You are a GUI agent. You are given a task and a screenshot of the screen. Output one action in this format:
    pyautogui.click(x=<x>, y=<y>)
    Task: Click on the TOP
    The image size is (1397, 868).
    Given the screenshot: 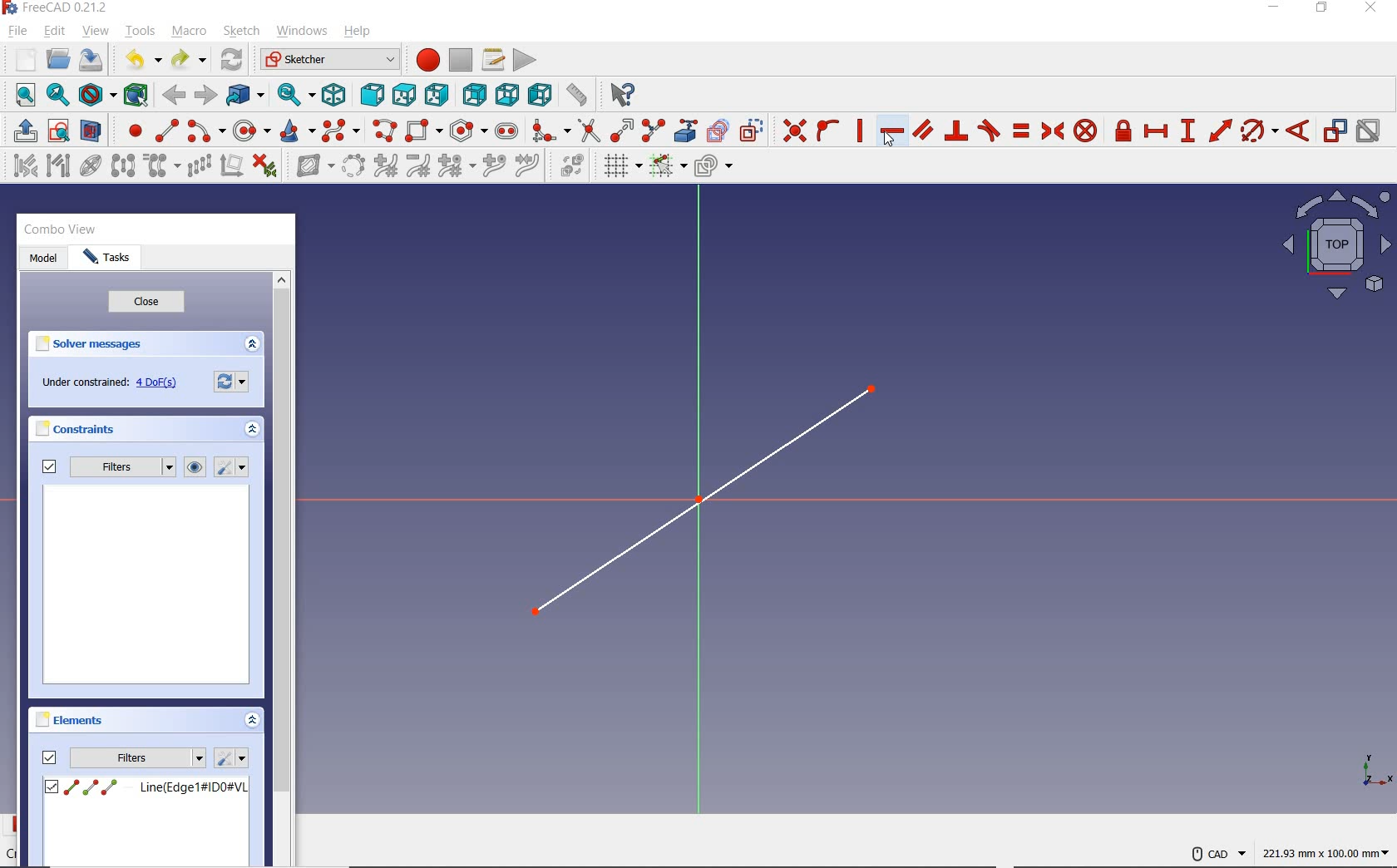 What is the action you would take?
    pyautogui.click(x=404, y=91)
    